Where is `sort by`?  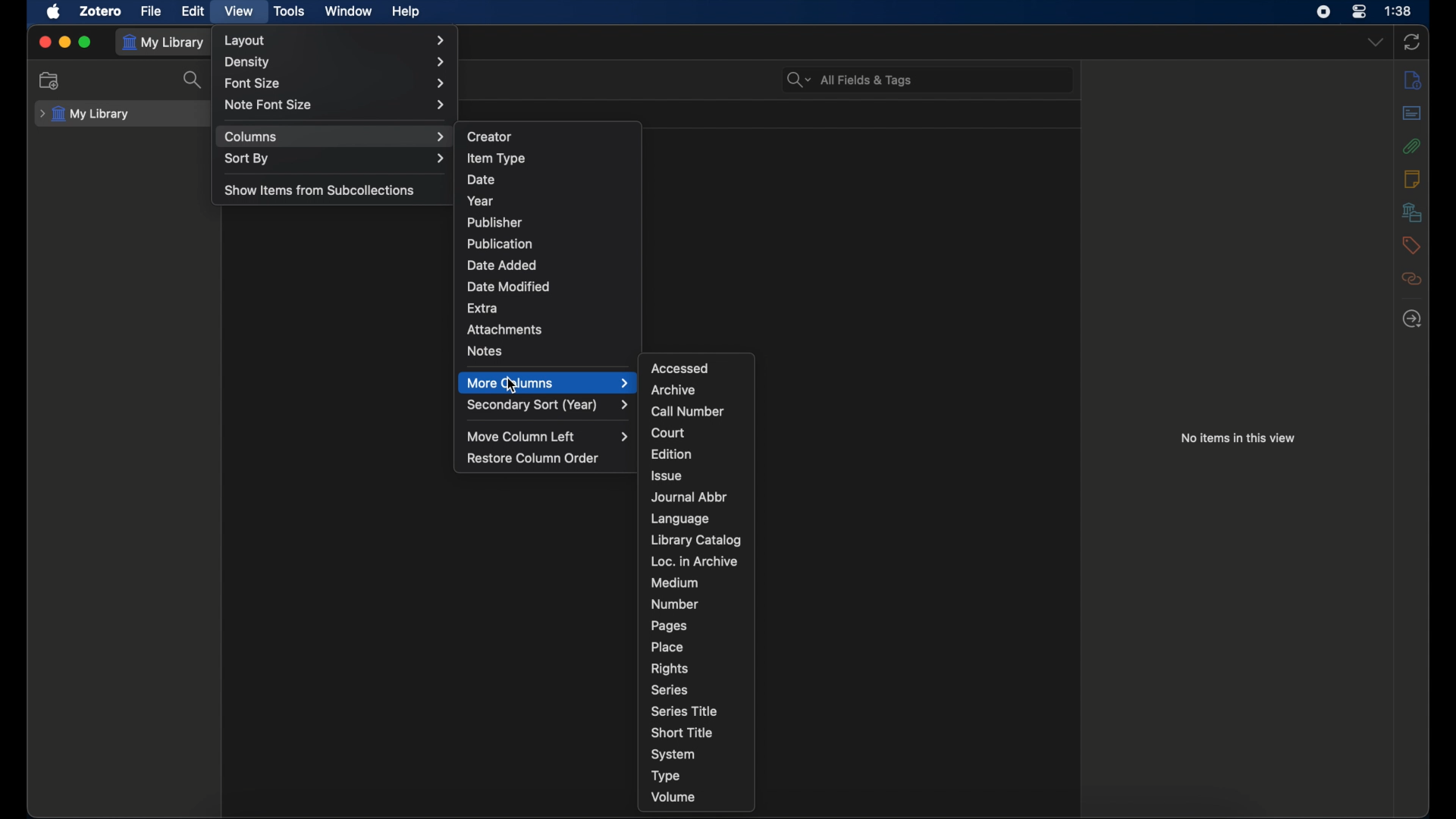 sort by is located at coordinates (335, 159).